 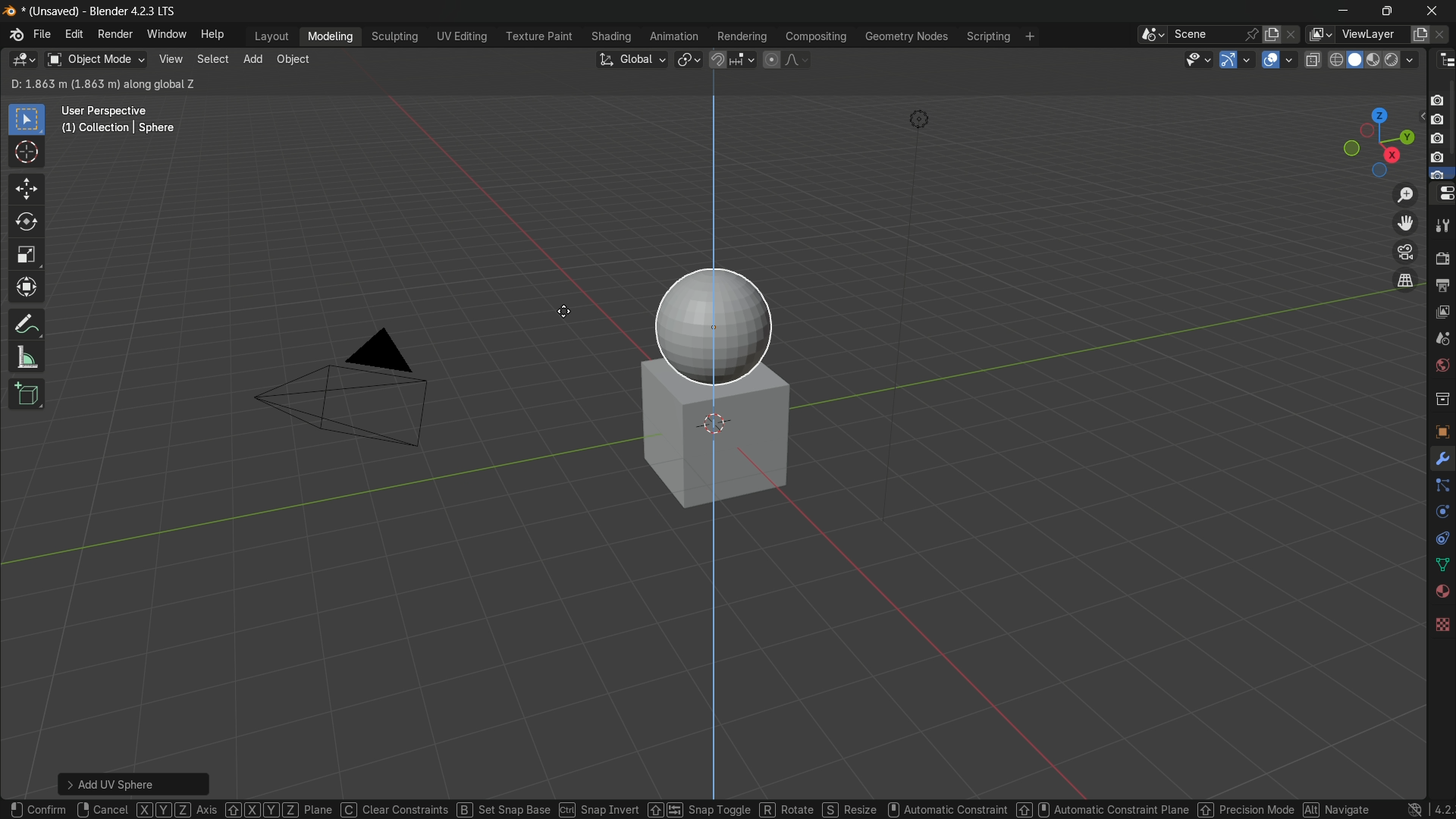 What do you see at coordinates (1229, 60) in the screenshot?
I see `show gizmo` at bounding box center [1229, 60].